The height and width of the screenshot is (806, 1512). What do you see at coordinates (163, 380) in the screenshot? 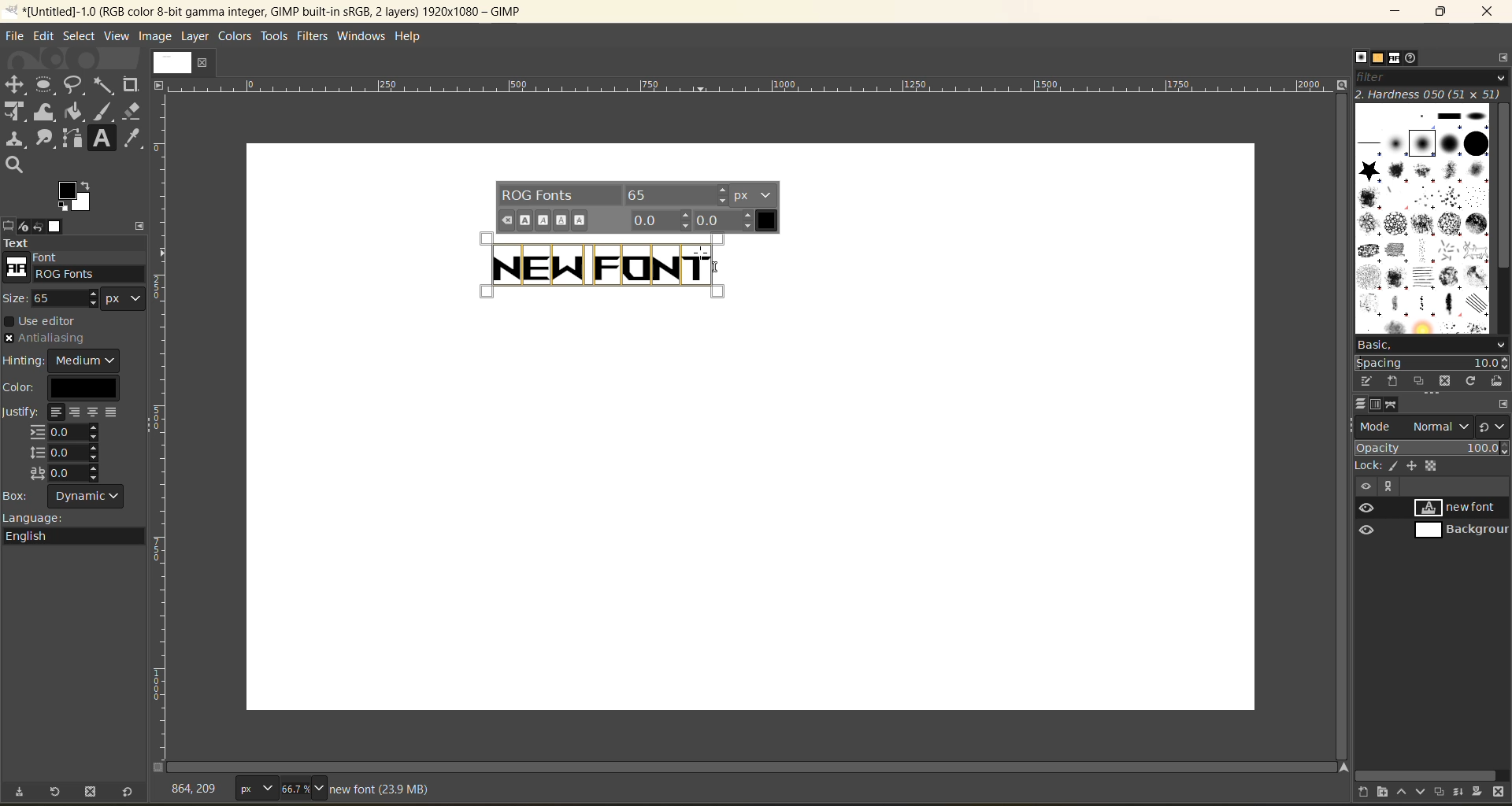
I see `scale` at bounding box center [163, 380].